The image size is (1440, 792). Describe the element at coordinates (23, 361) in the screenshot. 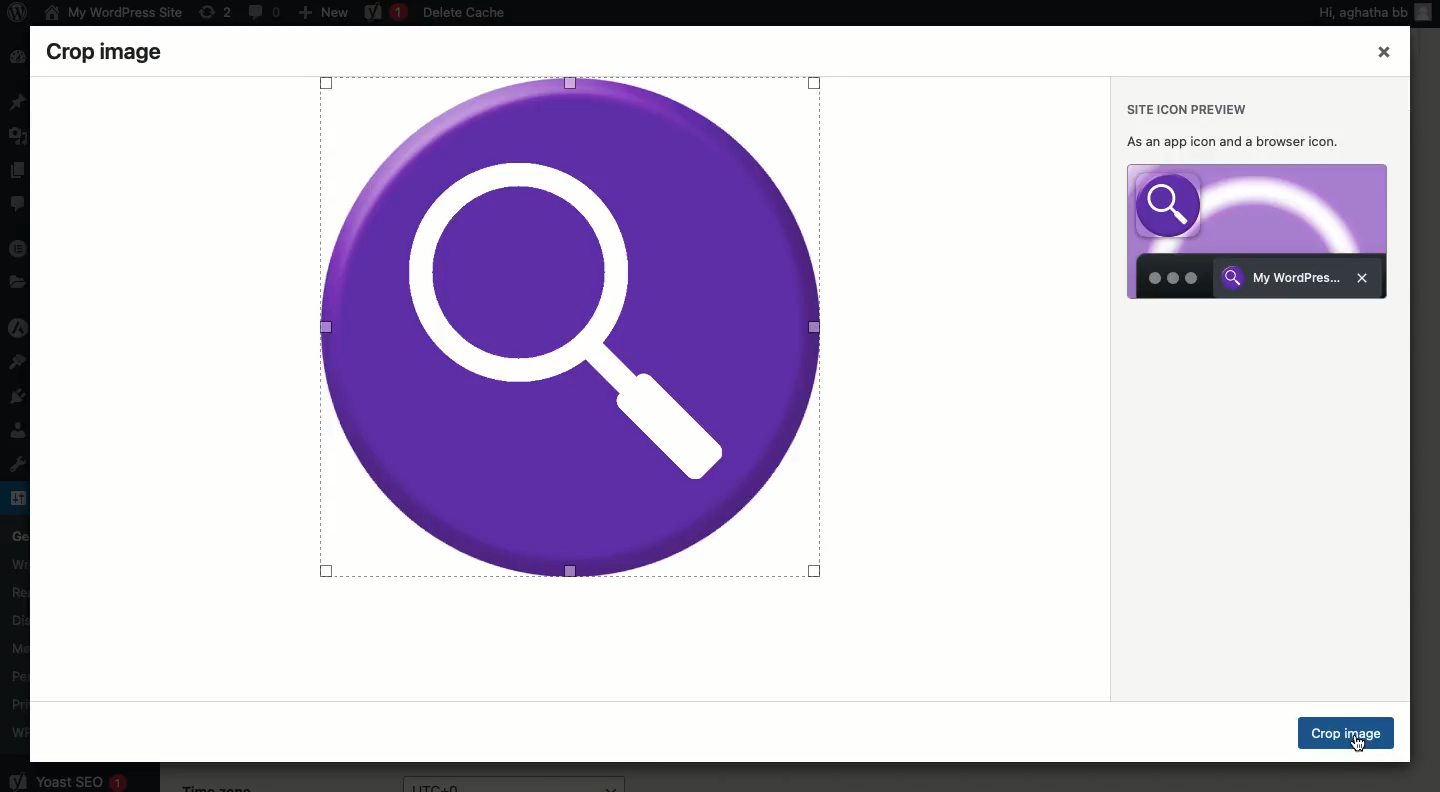

I see `Appearance` at that location.